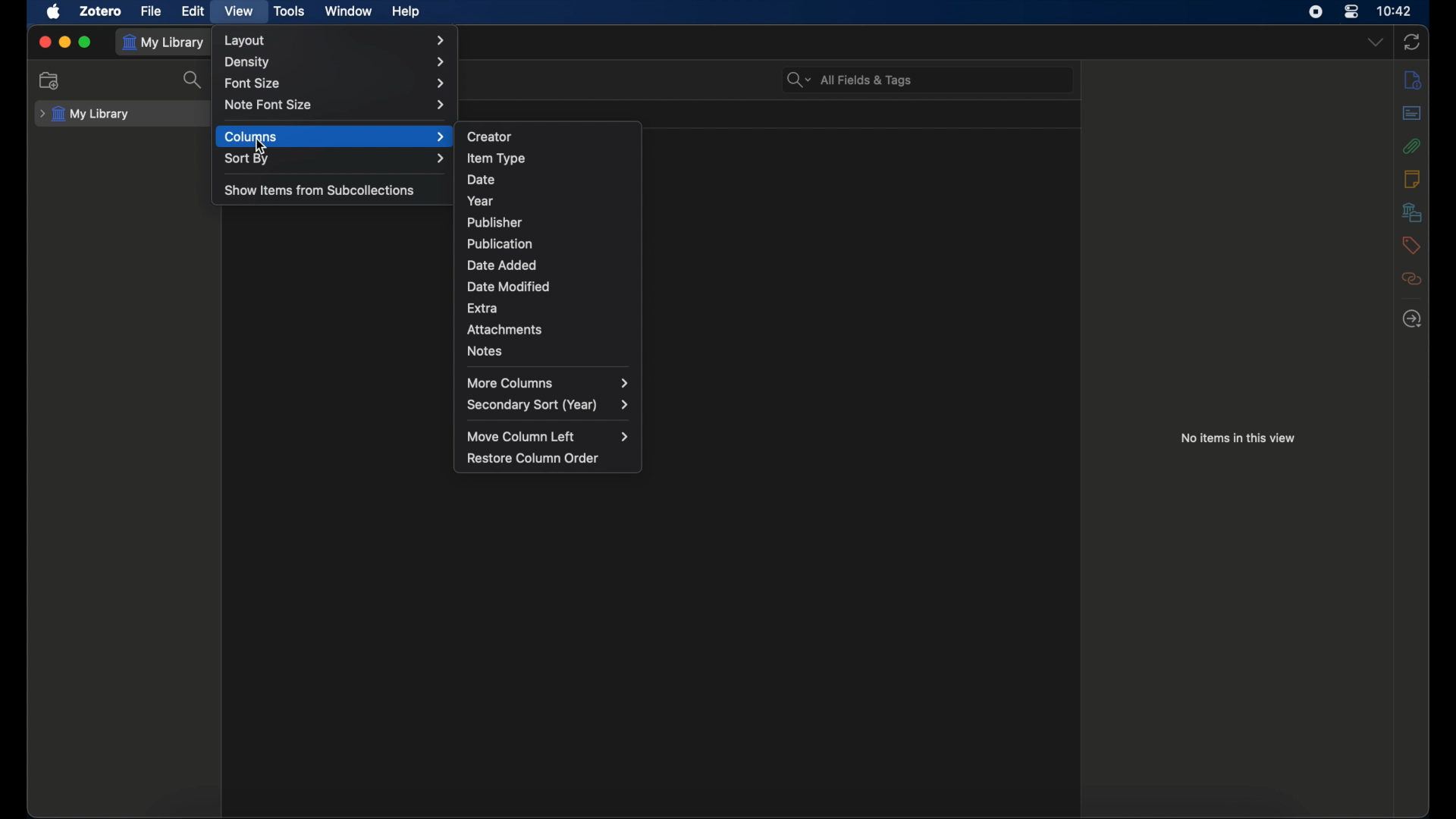 The image size is (1456, 819). What do you see at coordinates (534, 458) in the screenshot?
I see `restore column order` at bounding box center [534, 458].